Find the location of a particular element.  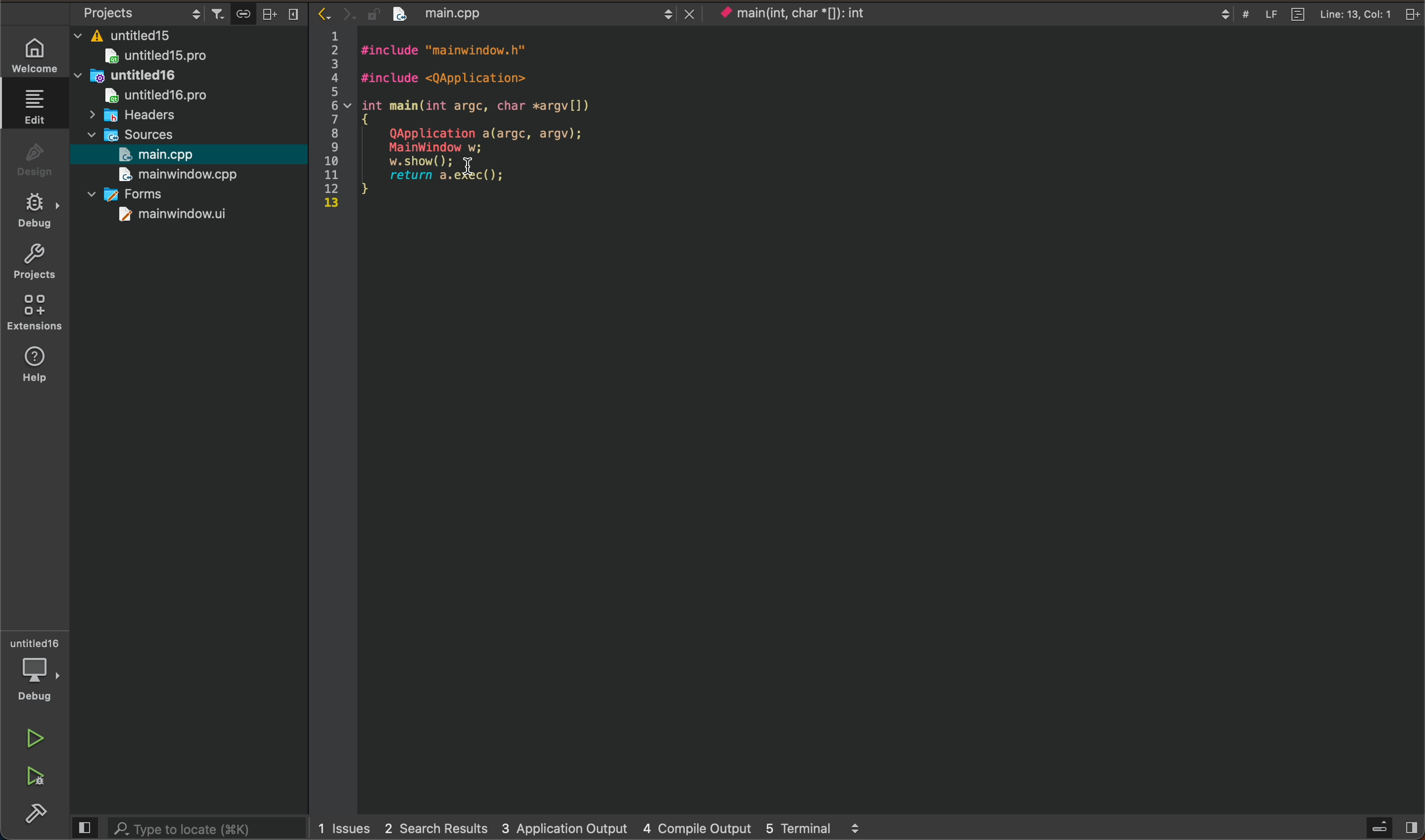

4 compile output is located at coordinates (700, 828).